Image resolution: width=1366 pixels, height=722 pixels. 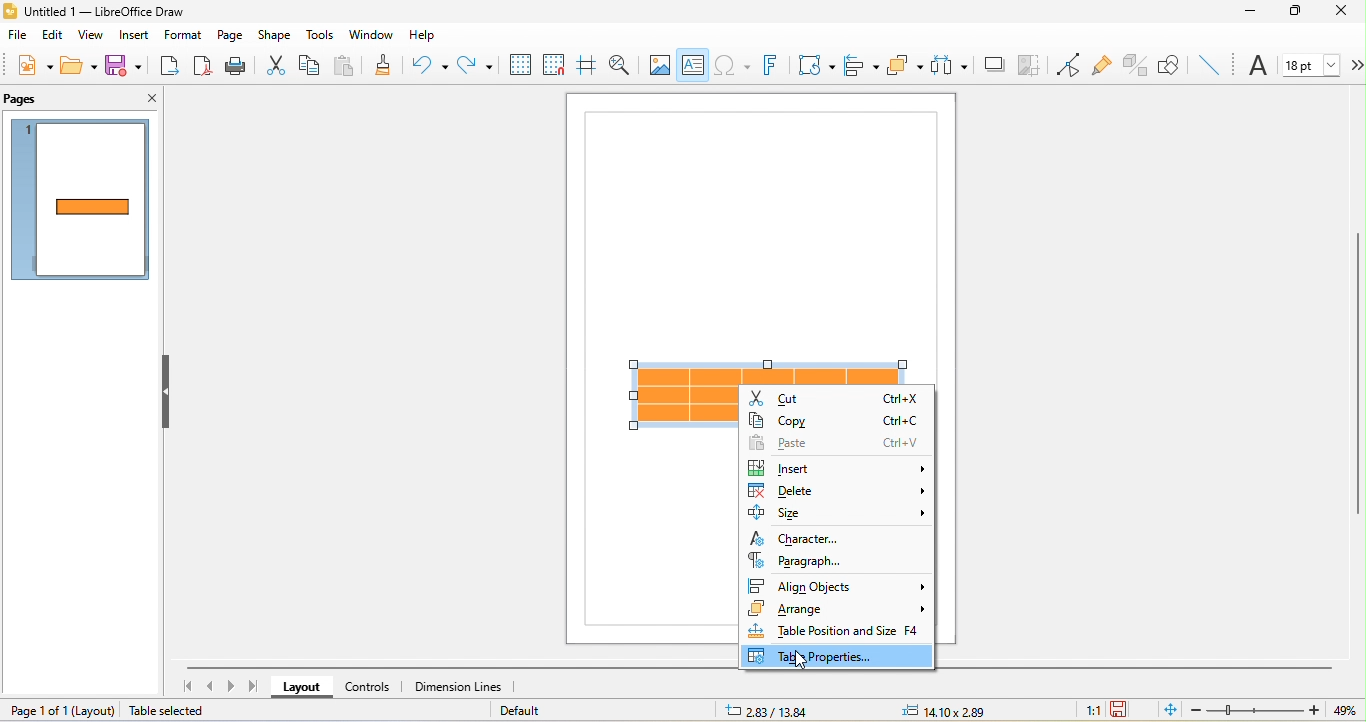 What do you see at coordinates (90, 37) in the screenshot?
I see `view` at bounding box center [90, 37].